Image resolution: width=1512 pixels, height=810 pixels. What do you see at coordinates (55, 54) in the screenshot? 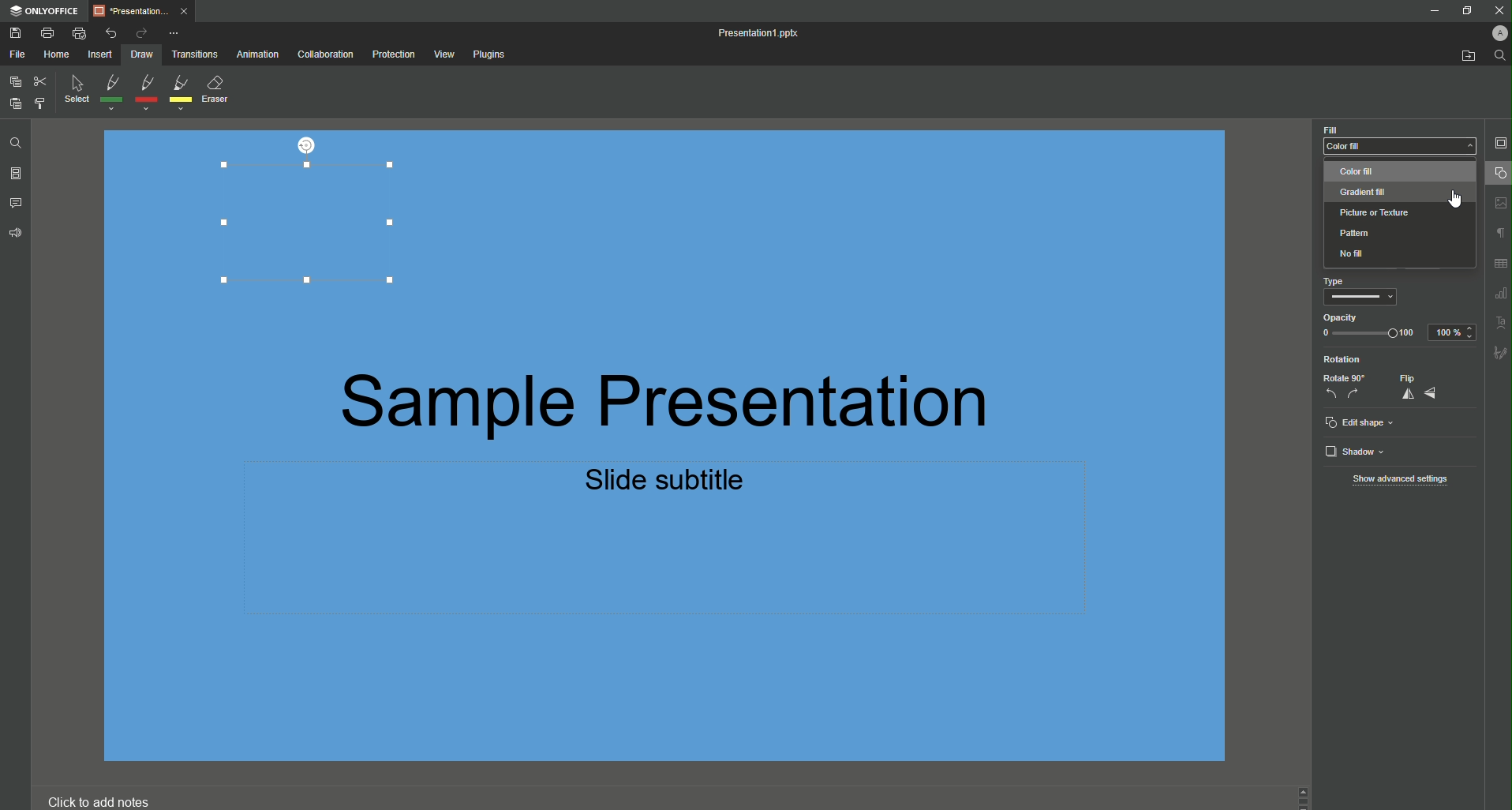
I see `Home` at bounding box center [55, 54].